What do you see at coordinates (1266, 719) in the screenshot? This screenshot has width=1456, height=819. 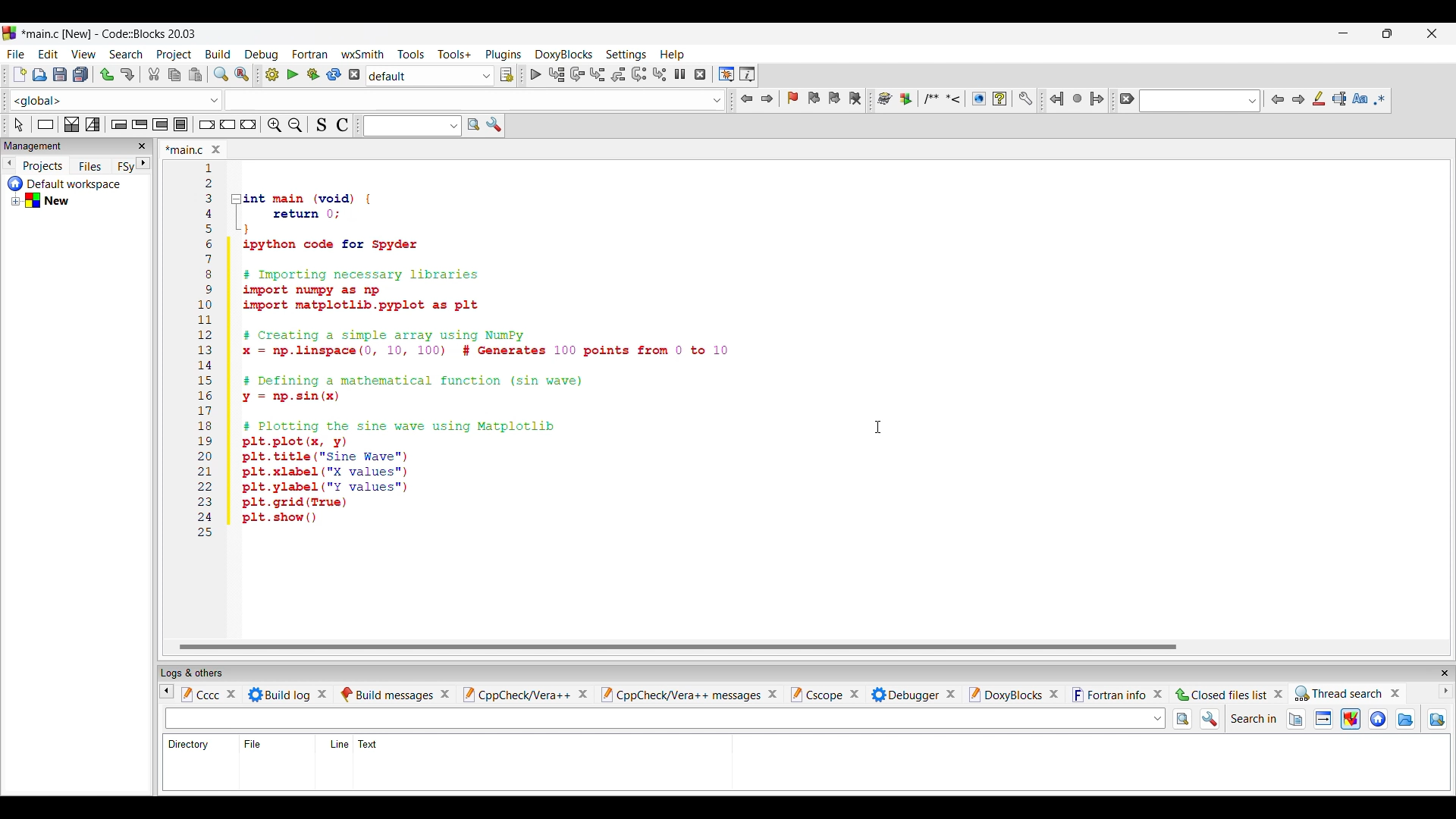 I see `` at bounding box center [1266, 719].